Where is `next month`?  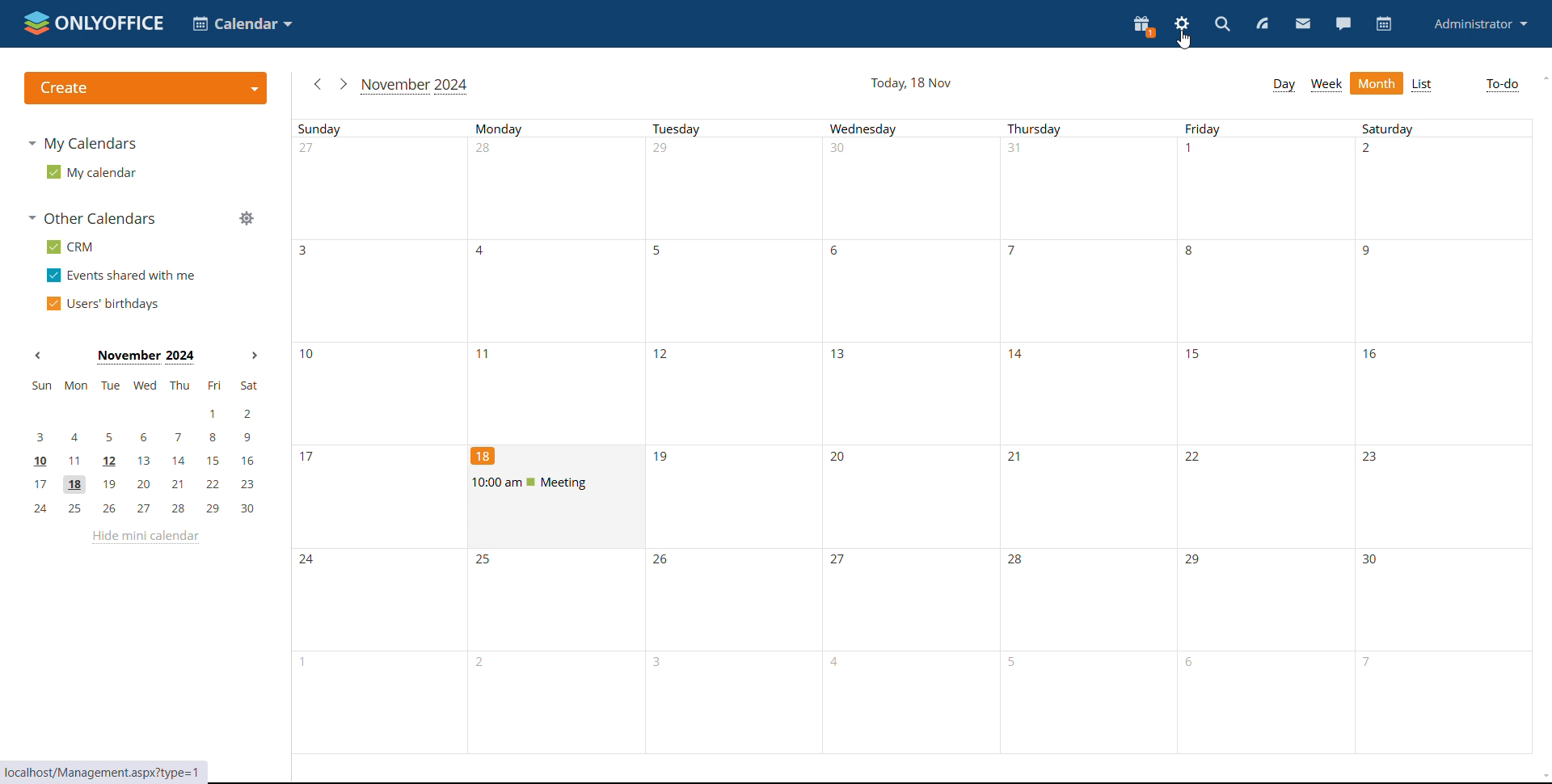
next month is located at coordinates (252, 356).